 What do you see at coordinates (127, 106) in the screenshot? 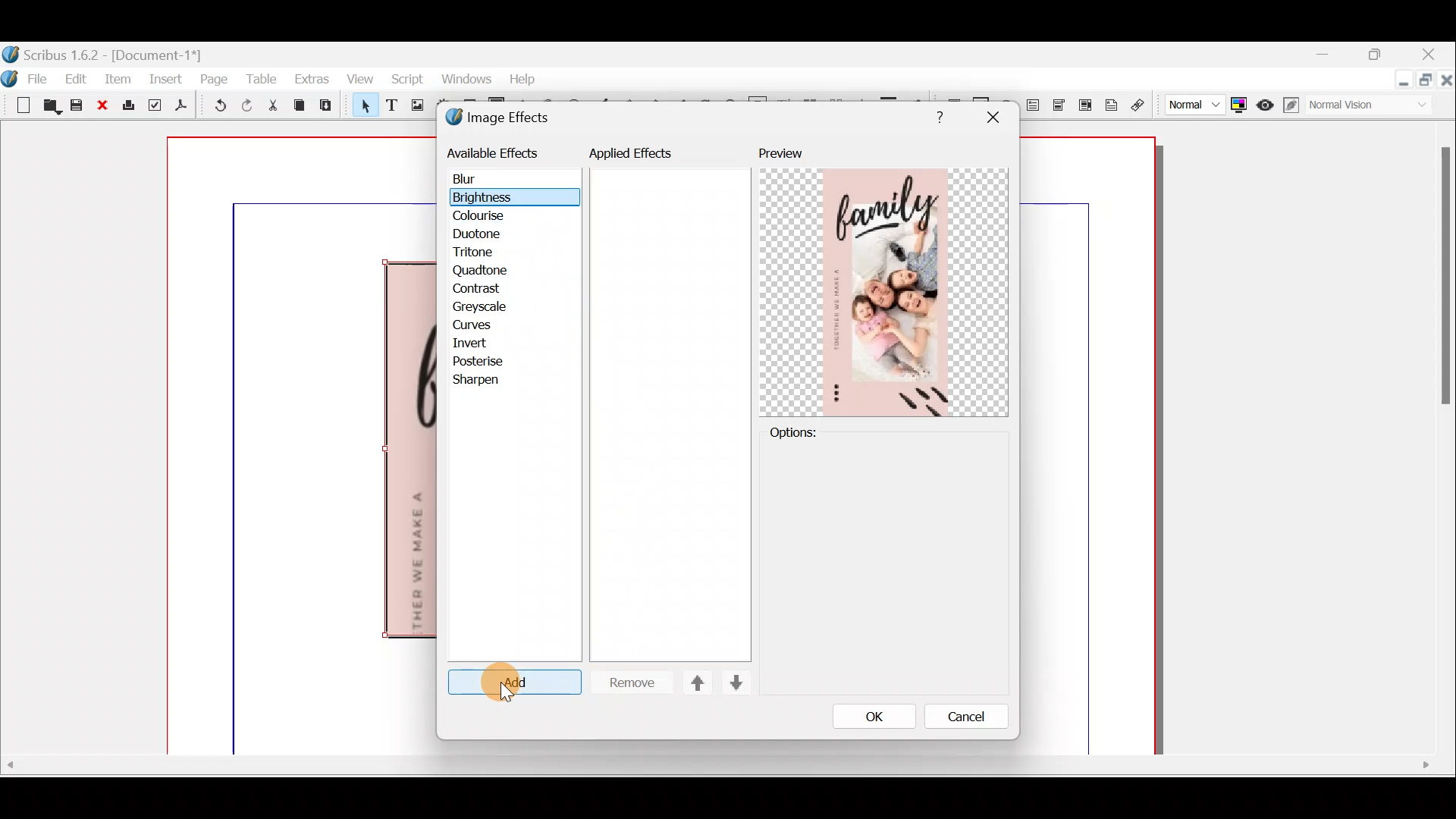
I see `Print` at bounding box center [127, 106].